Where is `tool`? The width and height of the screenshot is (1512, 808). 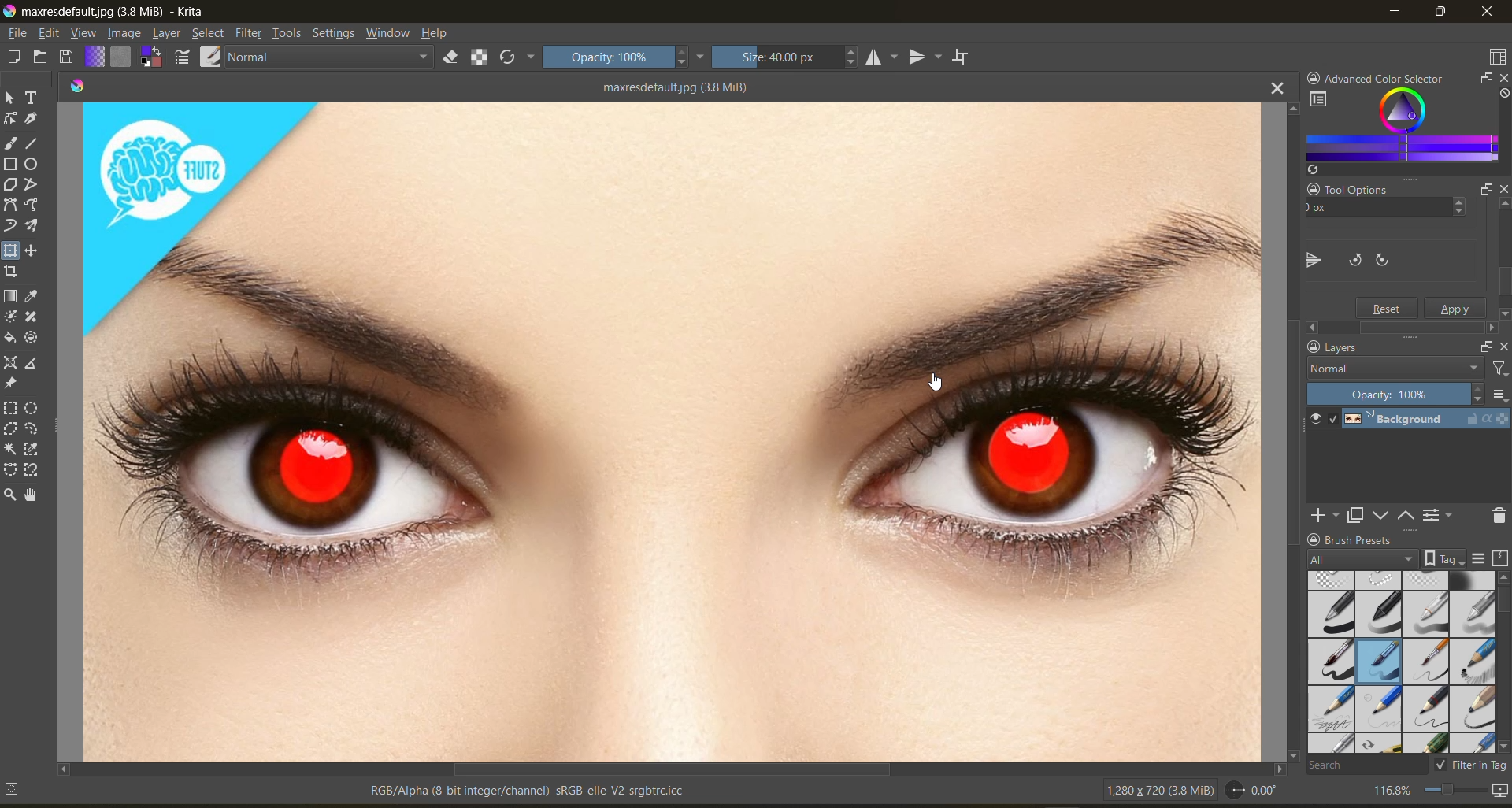
tool is located at coordinates (33, 143).